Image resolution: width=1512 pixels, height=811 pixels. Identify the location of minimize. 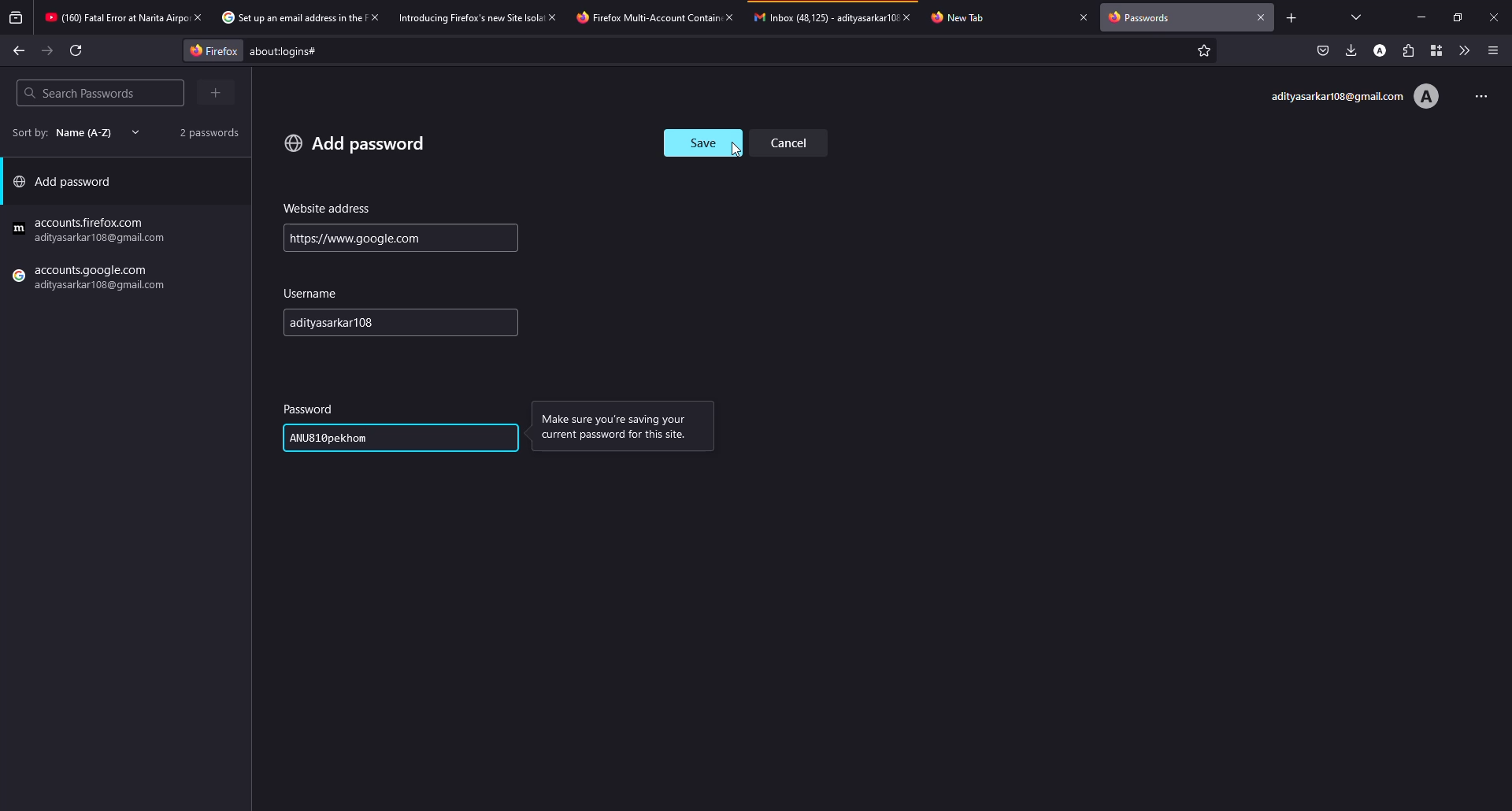
(1424, 17).